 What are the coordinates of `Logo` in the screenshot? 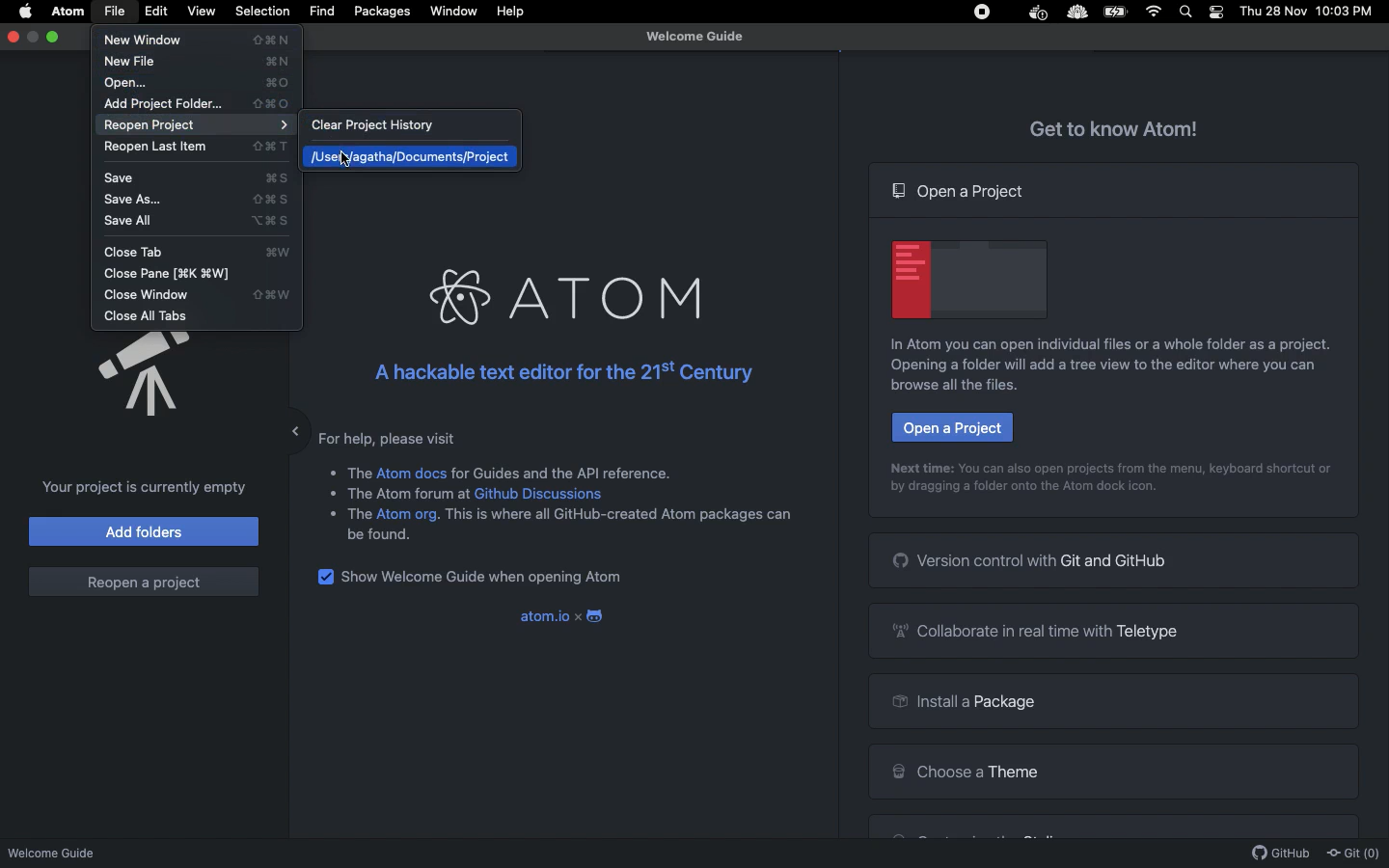 It's located at (598, 617).